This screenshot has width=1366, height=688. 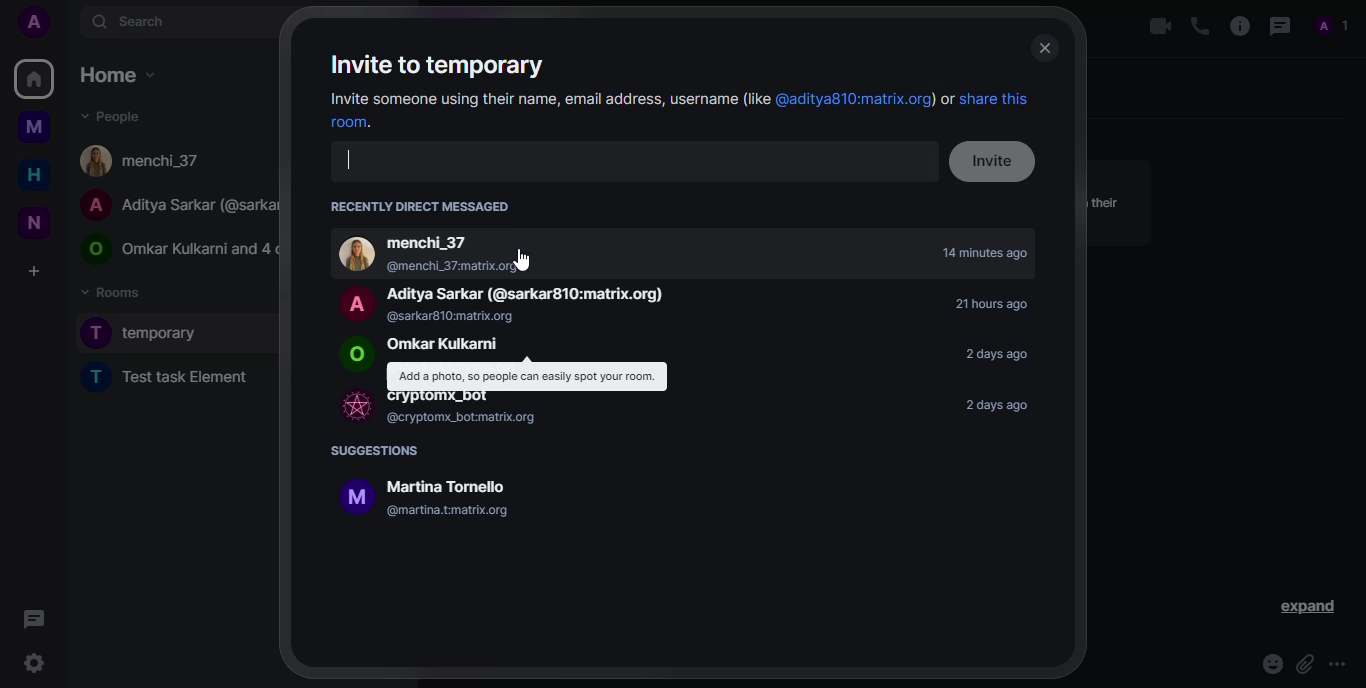 I want to click on home, so click(x=28, y=175).